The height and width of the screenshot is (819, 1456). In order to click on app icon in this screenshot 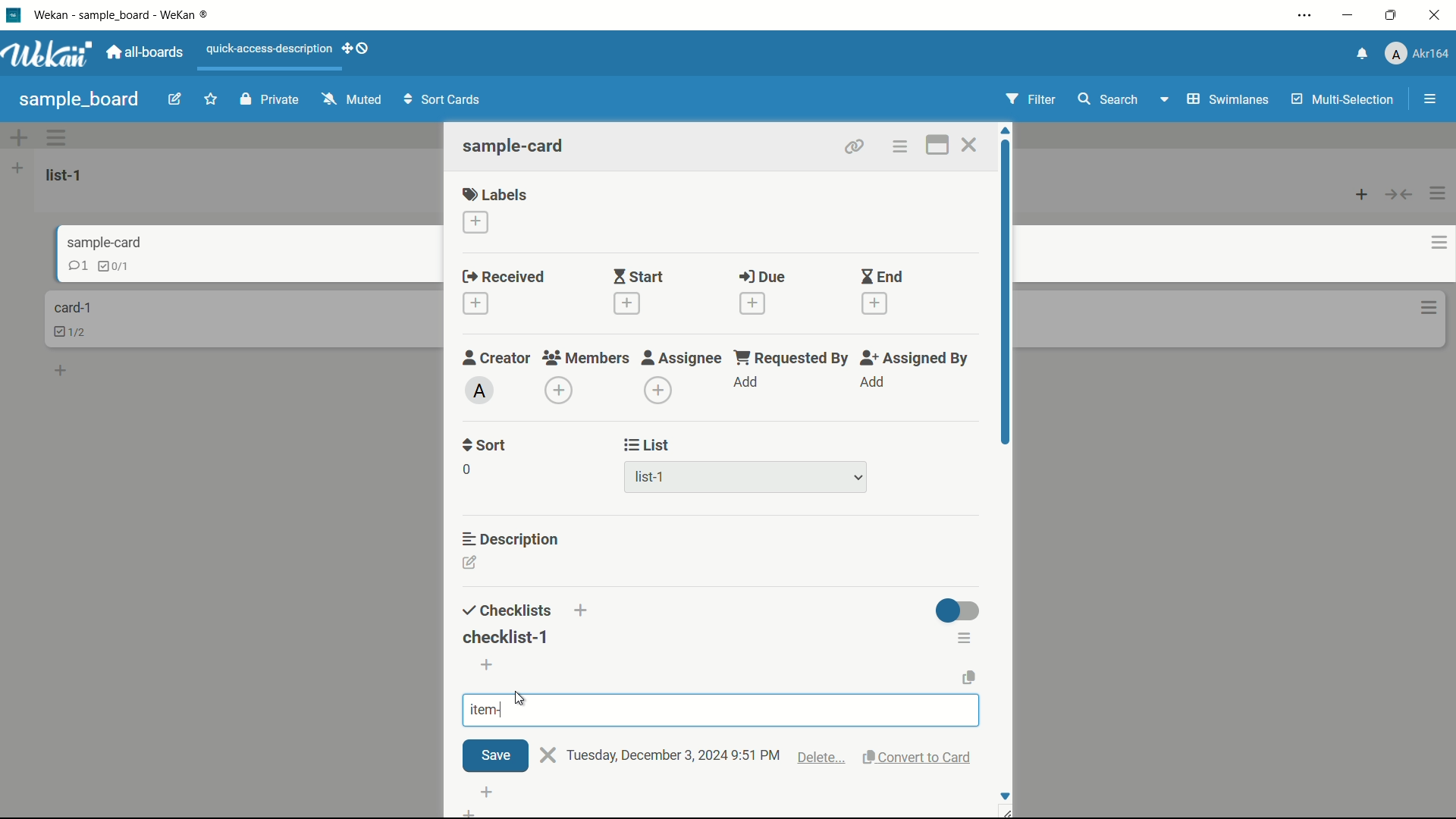, I will do `click(15, 14)`.